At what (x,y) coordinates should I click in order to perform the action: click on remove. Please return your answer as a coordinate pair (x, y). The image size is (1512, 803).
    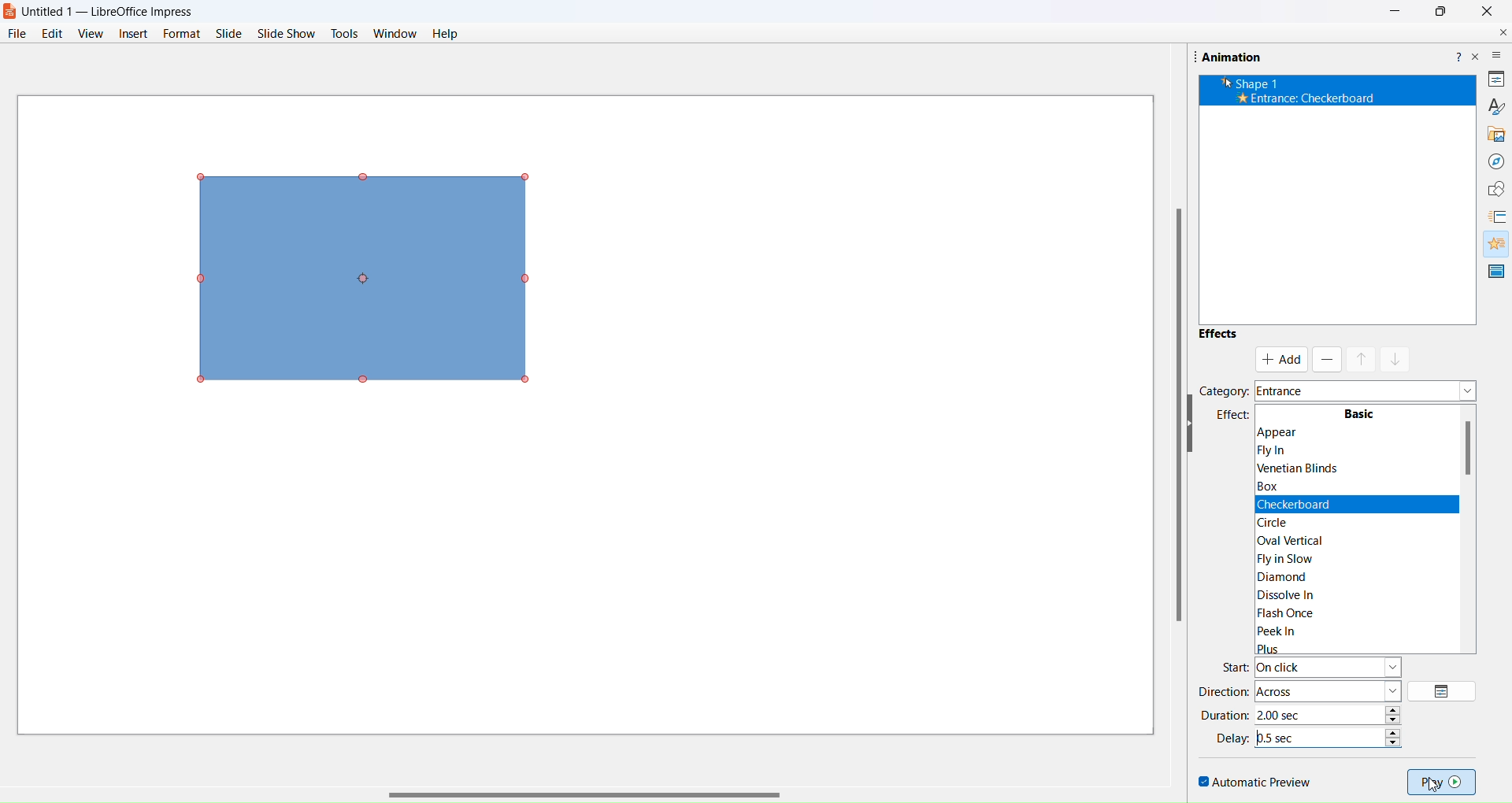
    Looking at the image, I should click on (1326, 361).